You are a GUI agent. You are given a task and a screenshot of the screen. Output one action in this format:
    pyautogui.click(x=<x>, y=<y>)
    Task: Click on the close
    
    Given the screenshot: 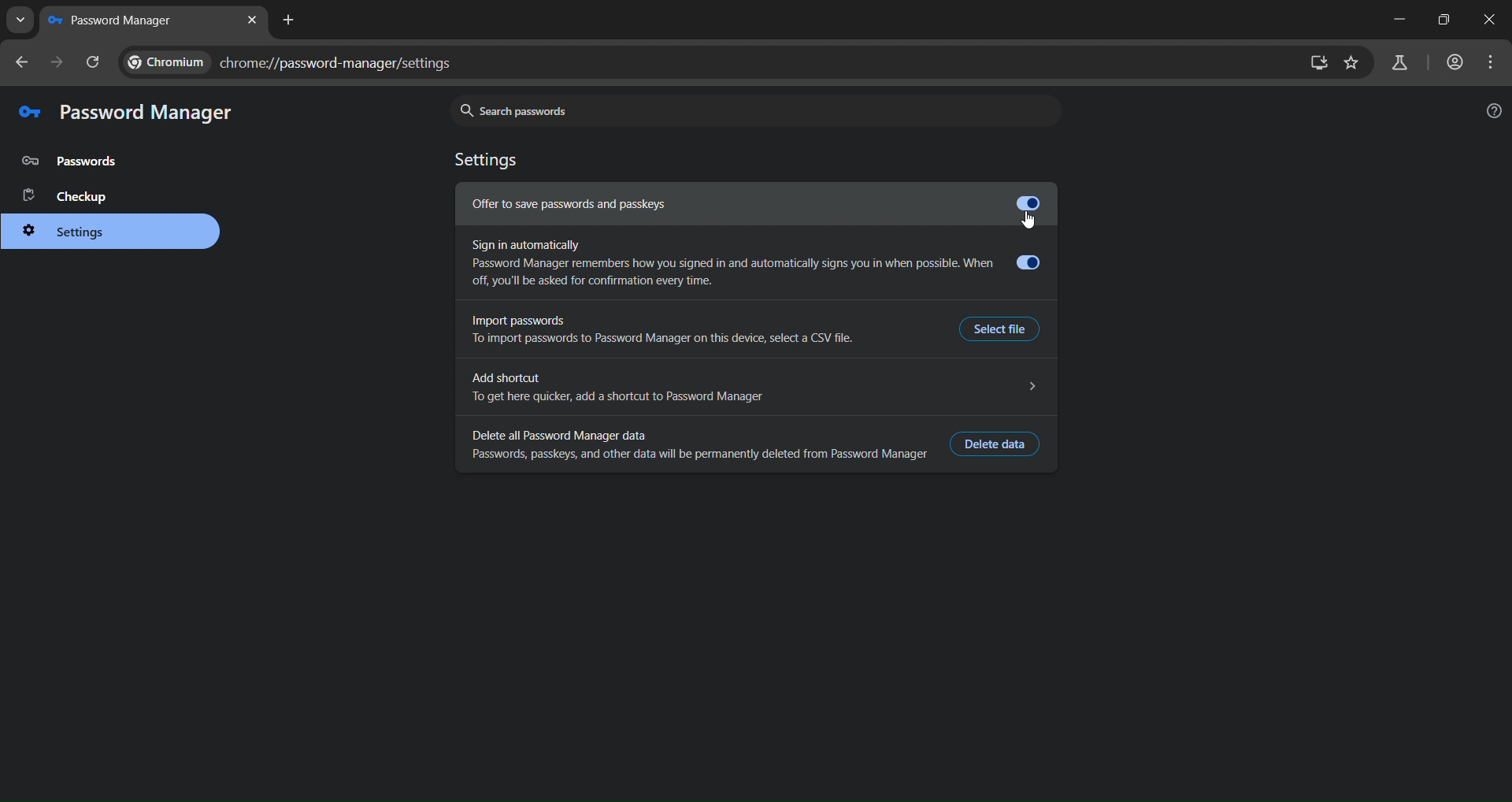 What is the action you would take?
    pyautogui.click(x=1491, y=22)
    